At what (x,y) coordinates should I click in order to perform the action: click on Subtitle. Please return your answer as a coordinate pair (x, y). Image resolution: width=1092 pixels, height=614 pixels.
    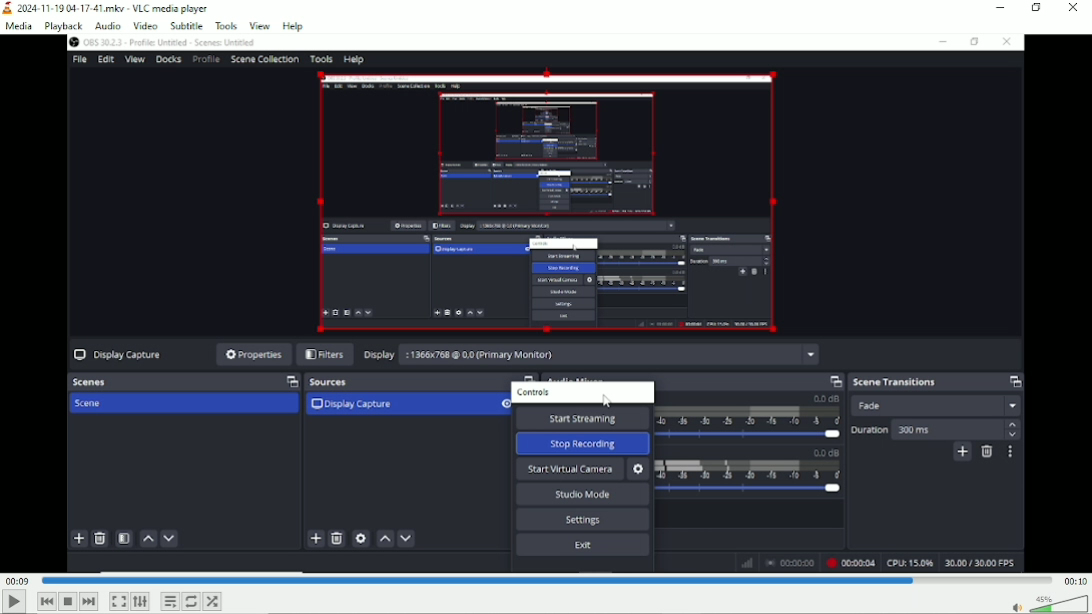
    Looking at the image, I should click on (186, 26).